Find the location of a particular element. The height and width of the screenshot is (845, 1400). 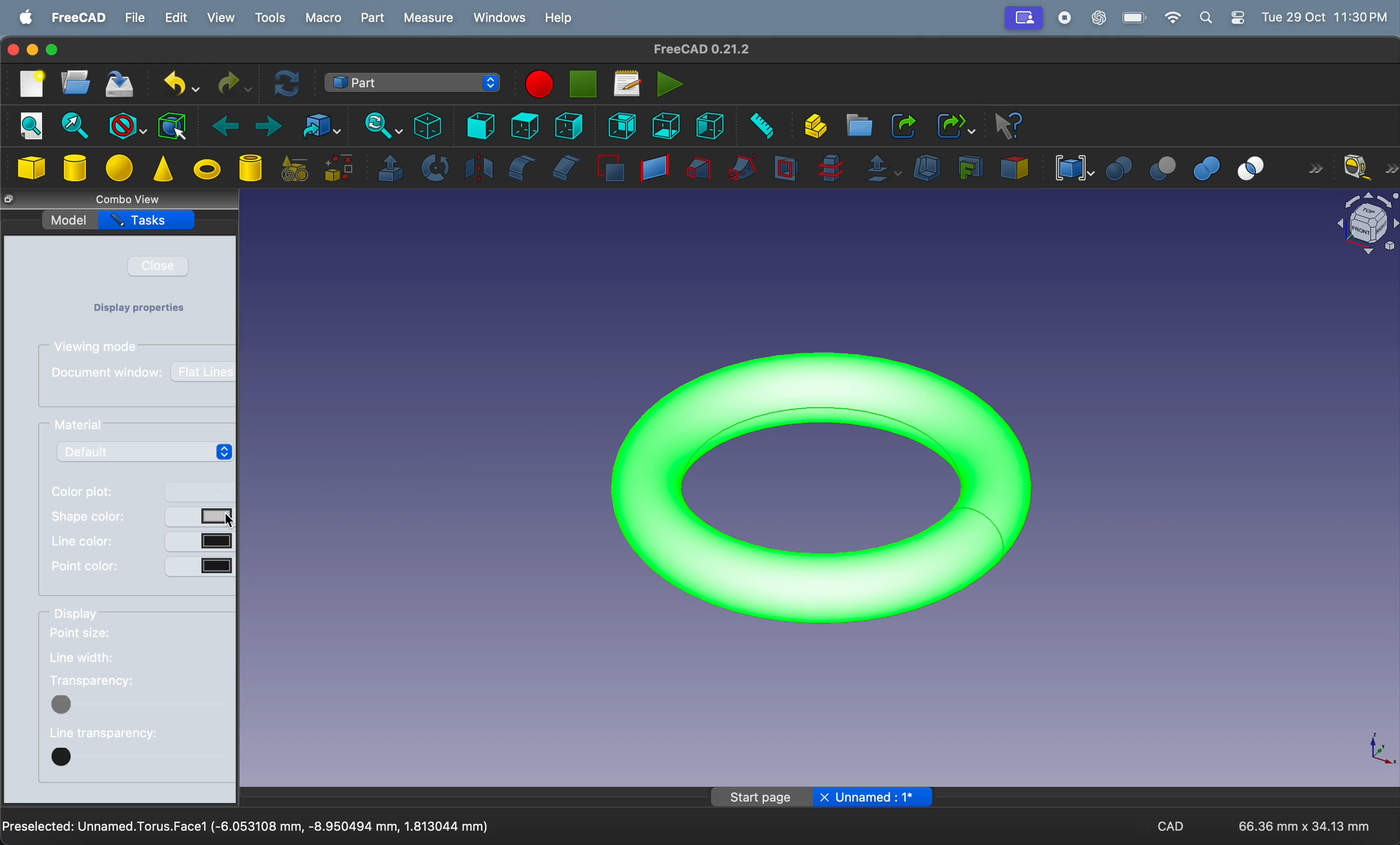

button is located at coordinates (201, 542).